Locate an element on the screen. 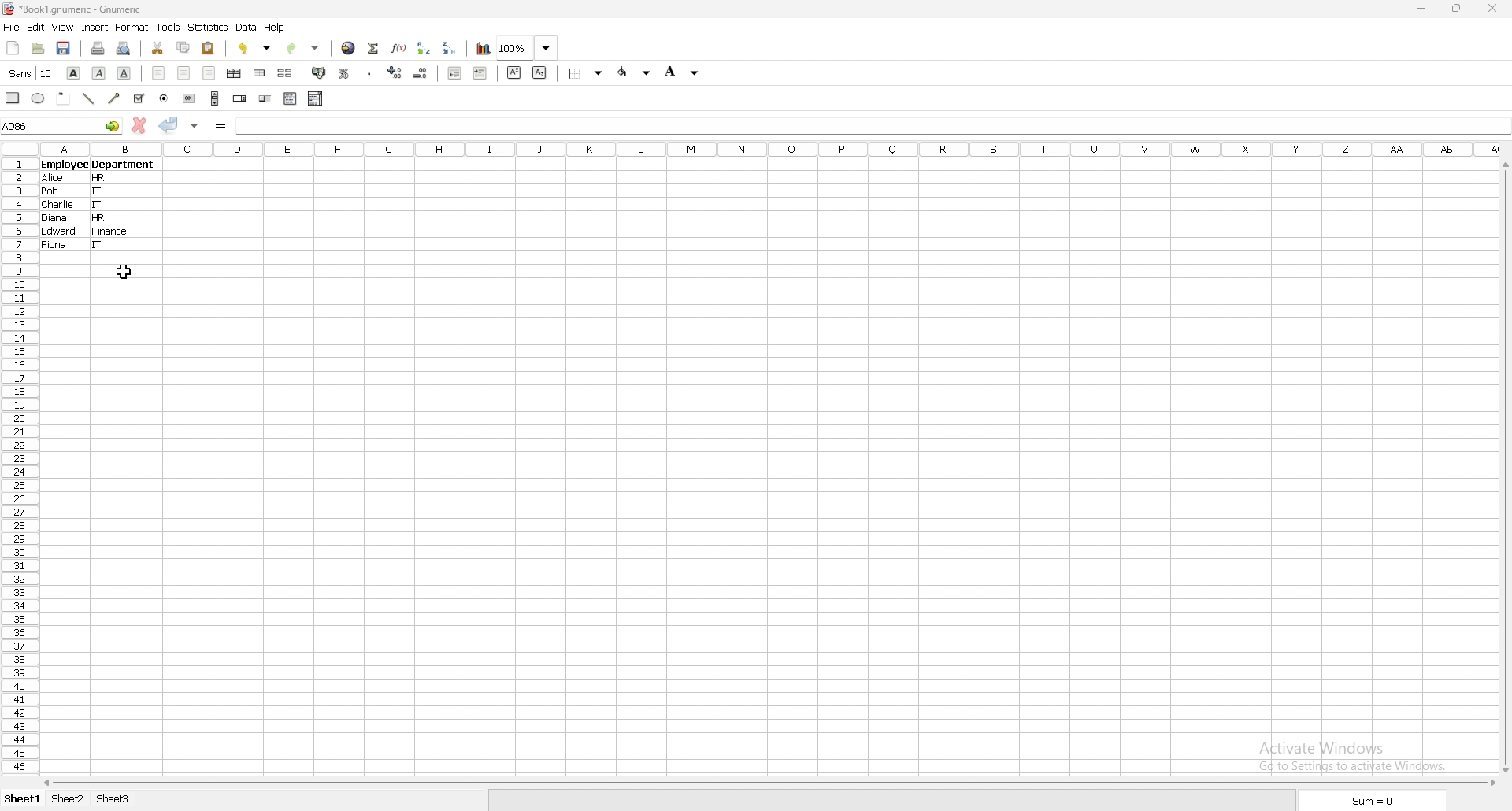  cancel changes is located at coordinates (139, 125).